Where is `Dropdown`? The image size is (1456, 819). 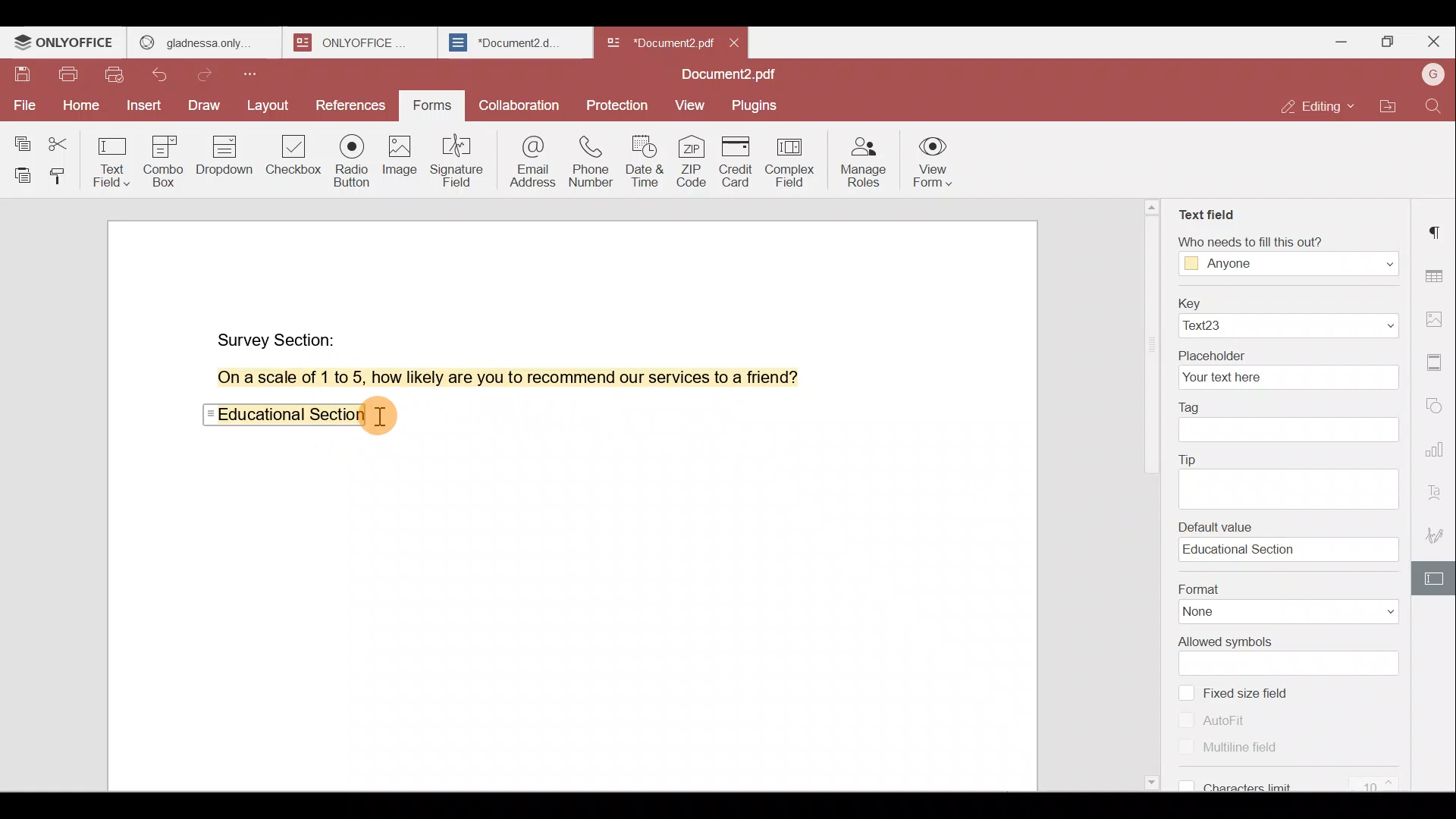
Dropdown is located at coordinates (227, 155).